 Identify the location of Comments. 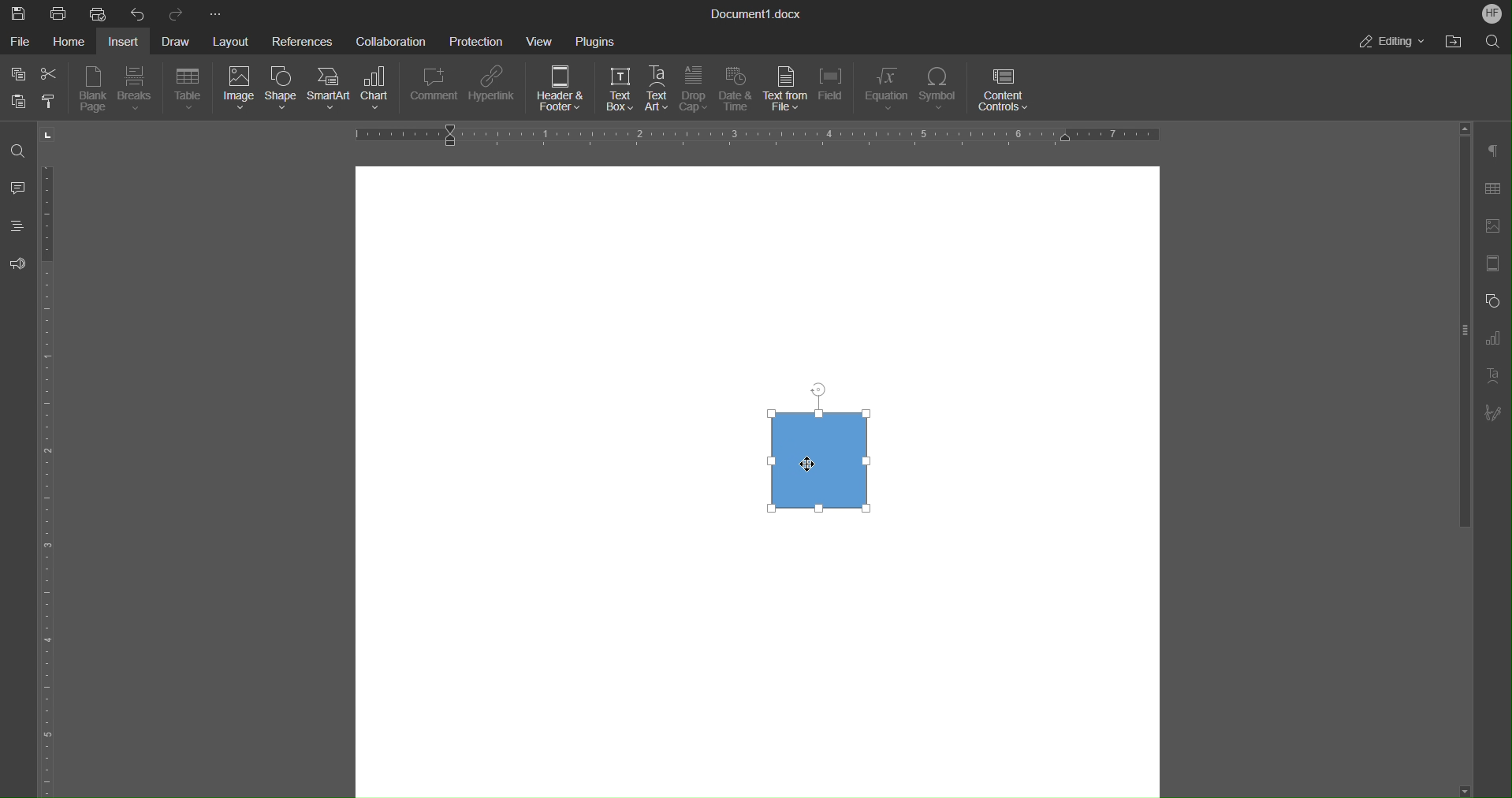
(19, 189).